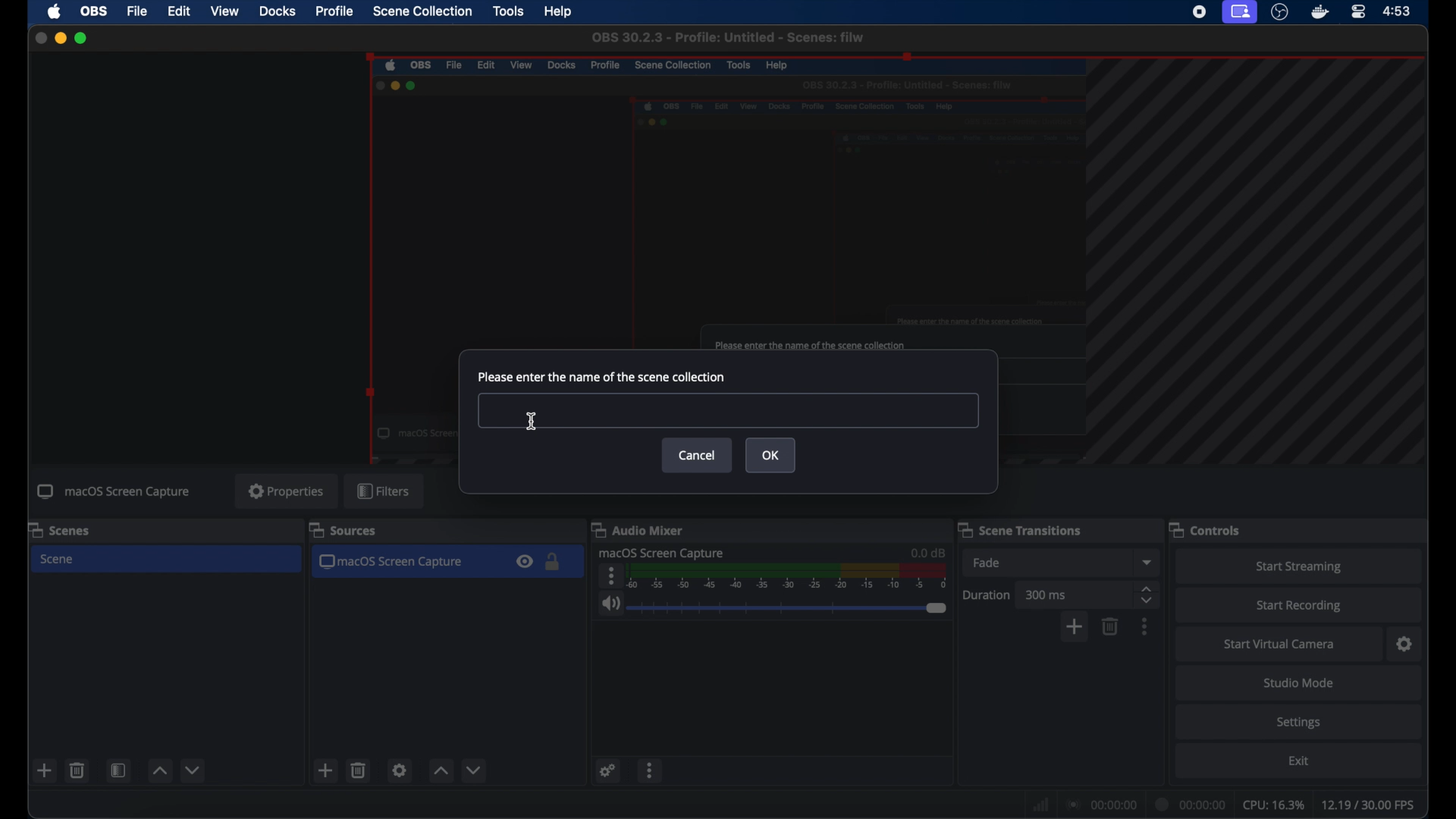 The width and height of the screenshot is (1456, 819). I want to click on start streaming, so click(1297, 565).